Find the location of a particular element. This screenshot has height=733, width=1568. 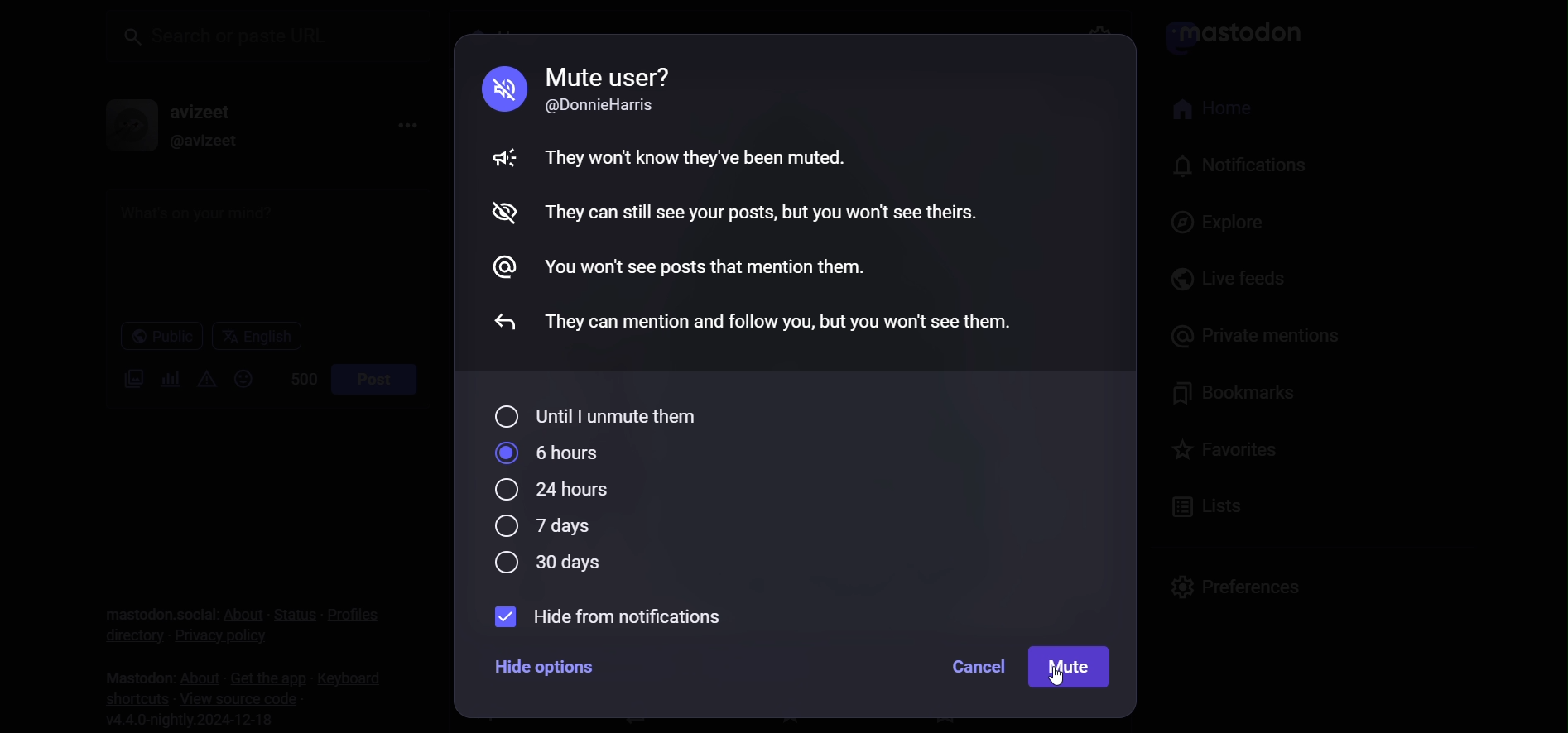

cursor is located at coordinates (1059, 687).